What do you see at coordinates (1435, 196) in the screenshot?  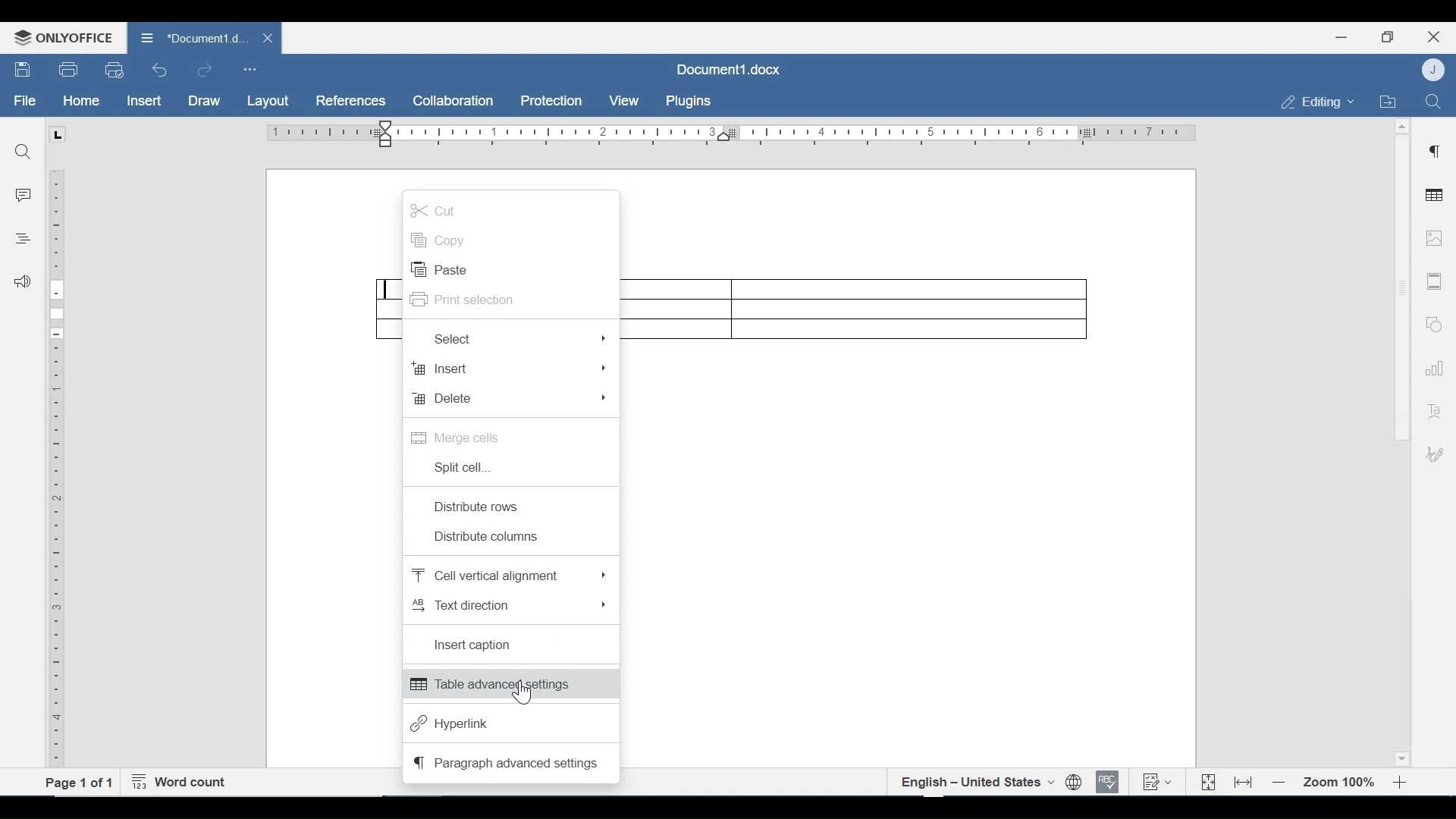 I see `Table Settings` at bounding box center [1435, 196].